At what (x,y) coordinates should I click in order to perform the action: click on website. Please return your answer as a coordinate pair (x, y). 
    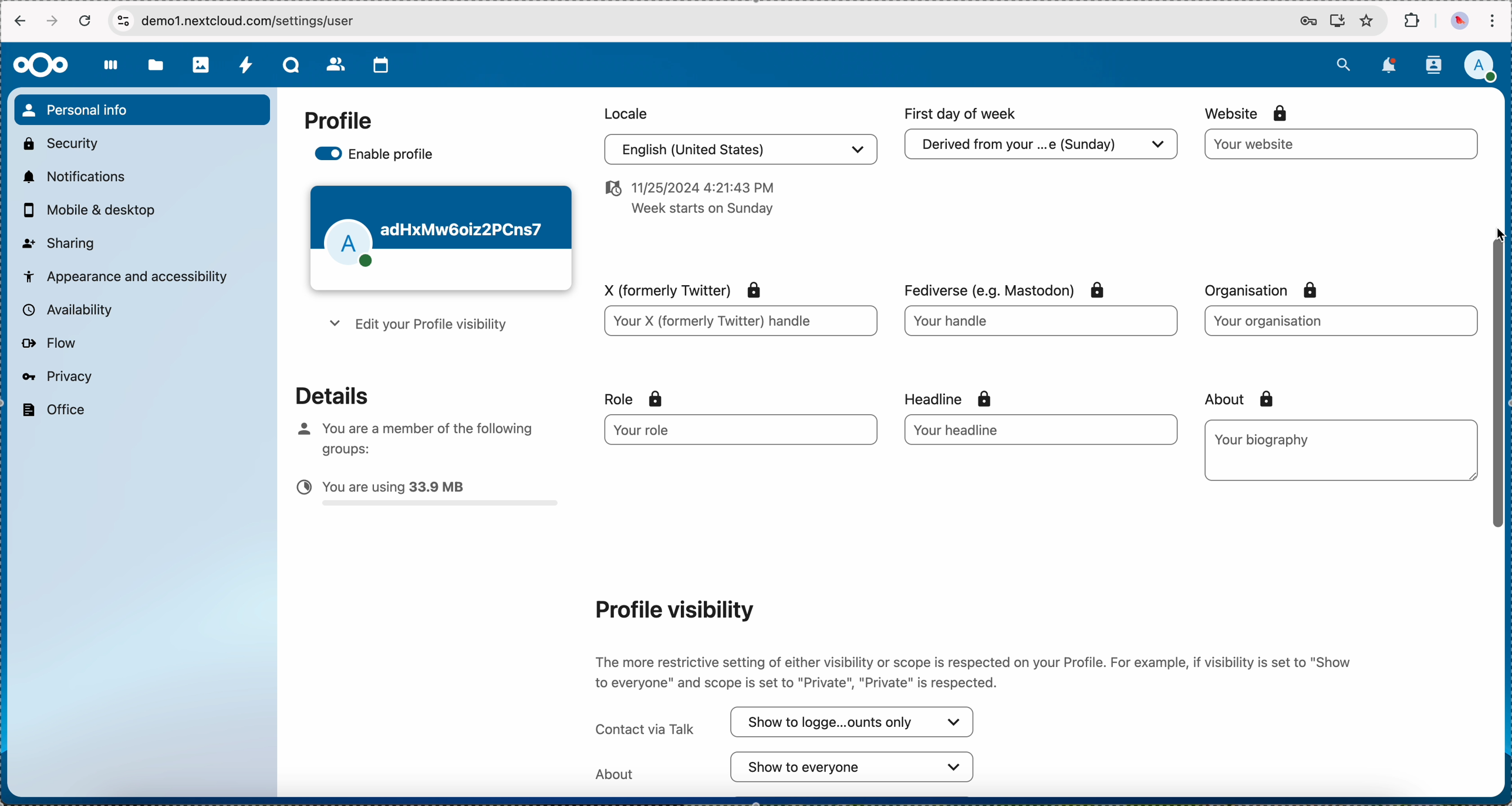
    Looking at the image, I should click on (1342, 144).